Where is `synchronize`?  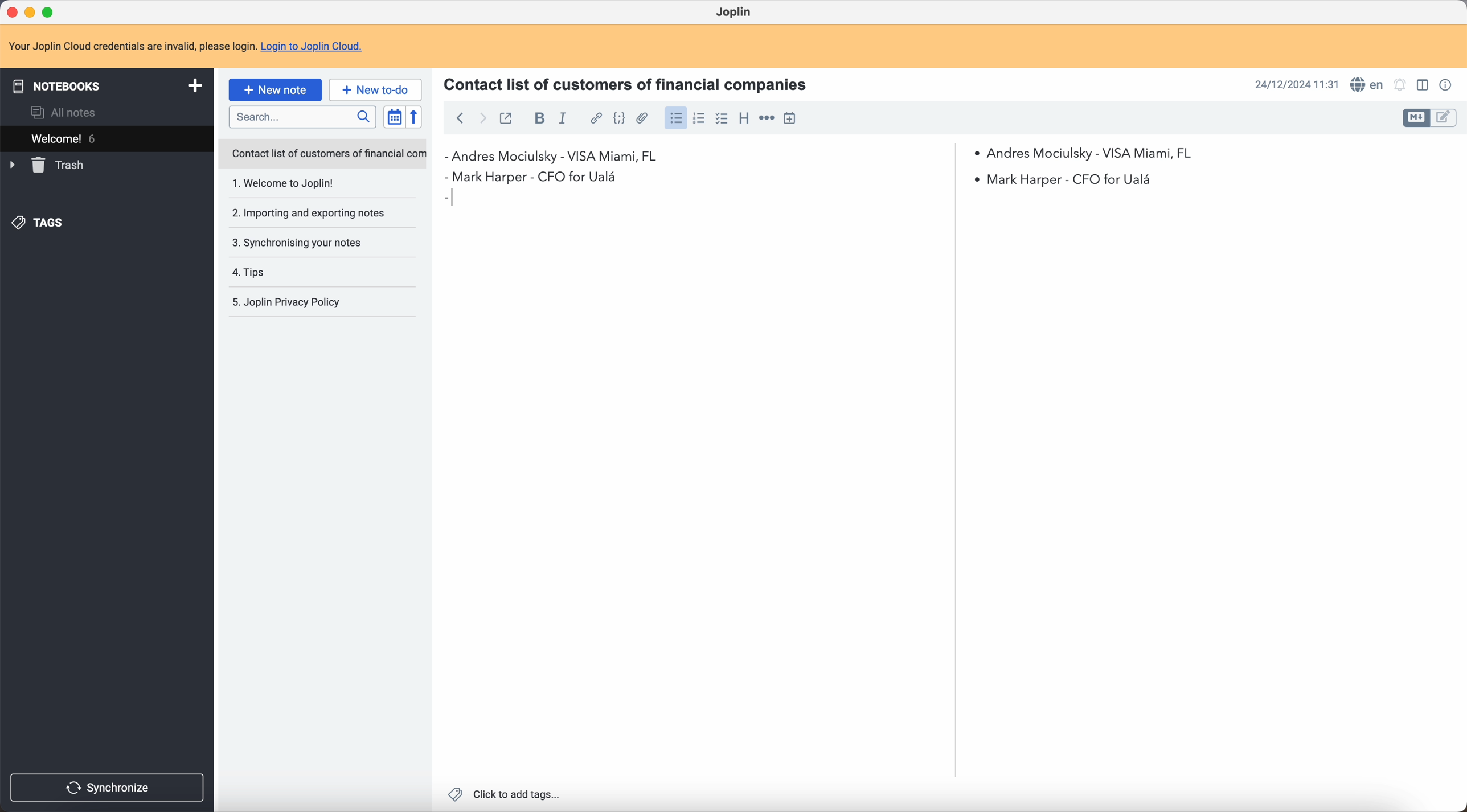 synchronize is located at coordinates (108, 788).